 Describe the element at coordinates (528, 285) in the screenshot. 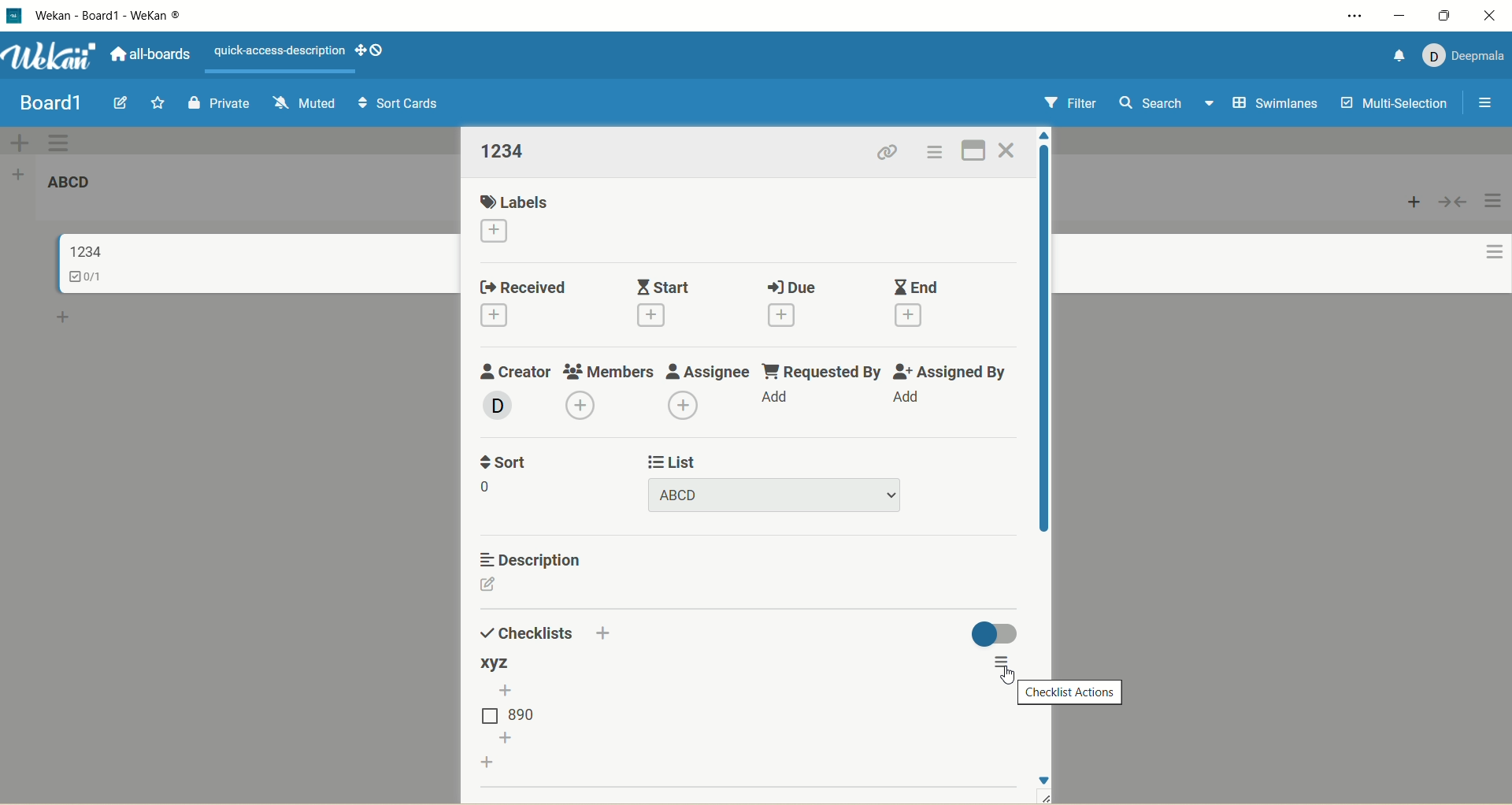

I see `received` at that location.